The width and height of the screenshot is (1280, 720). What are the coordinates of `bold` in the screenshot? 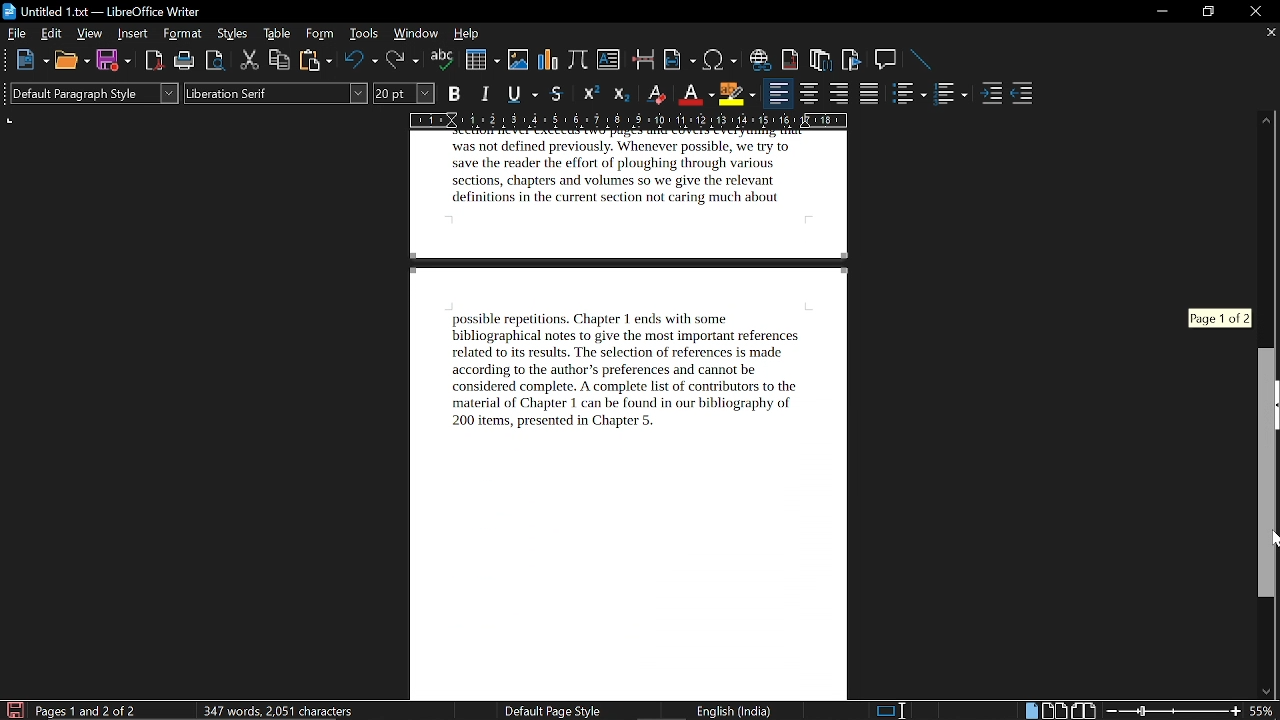 It's located at (455, 94).